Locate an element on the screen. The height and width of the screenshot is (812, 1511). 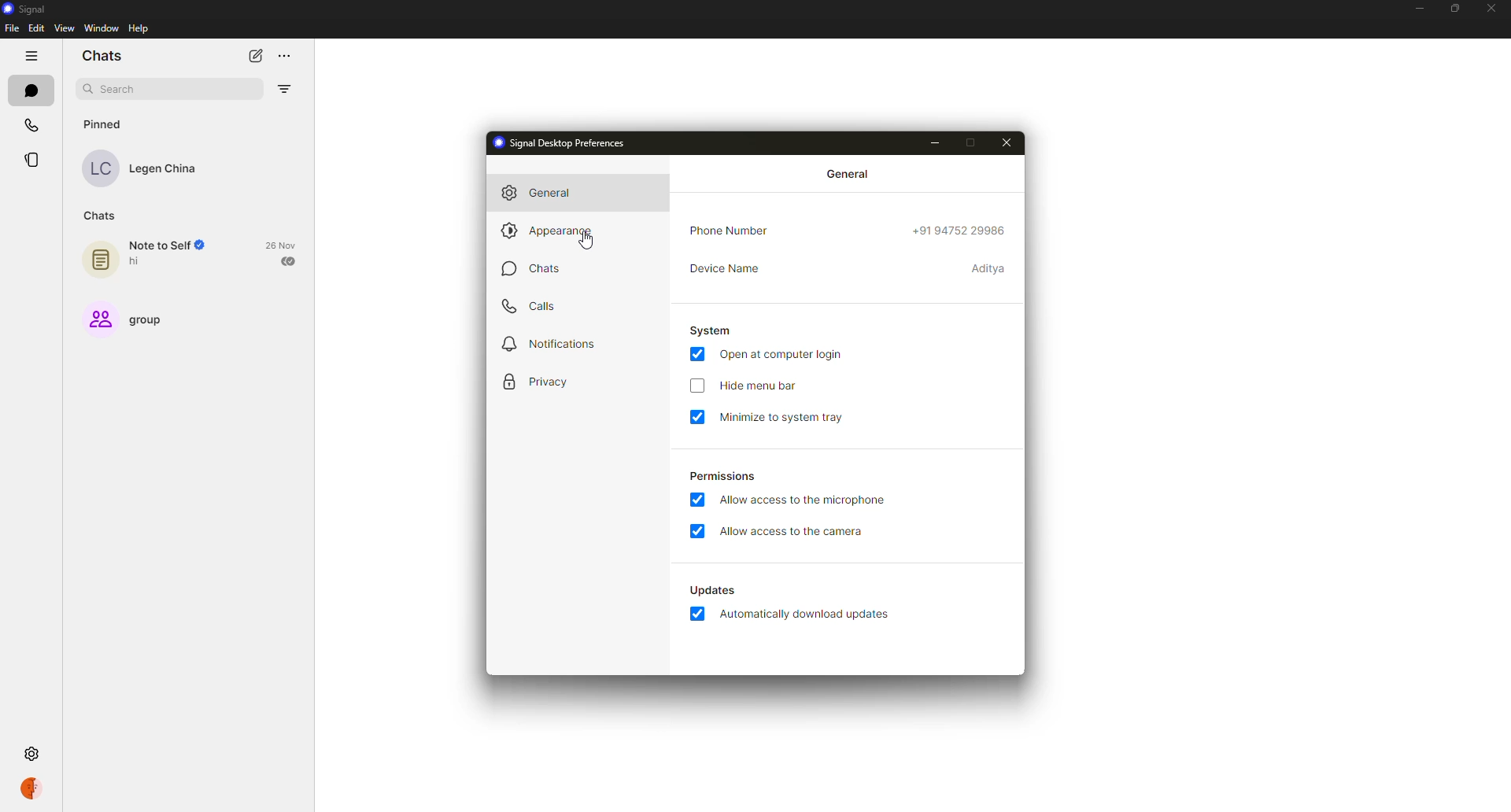
signal is located at coordinates (25, 8).